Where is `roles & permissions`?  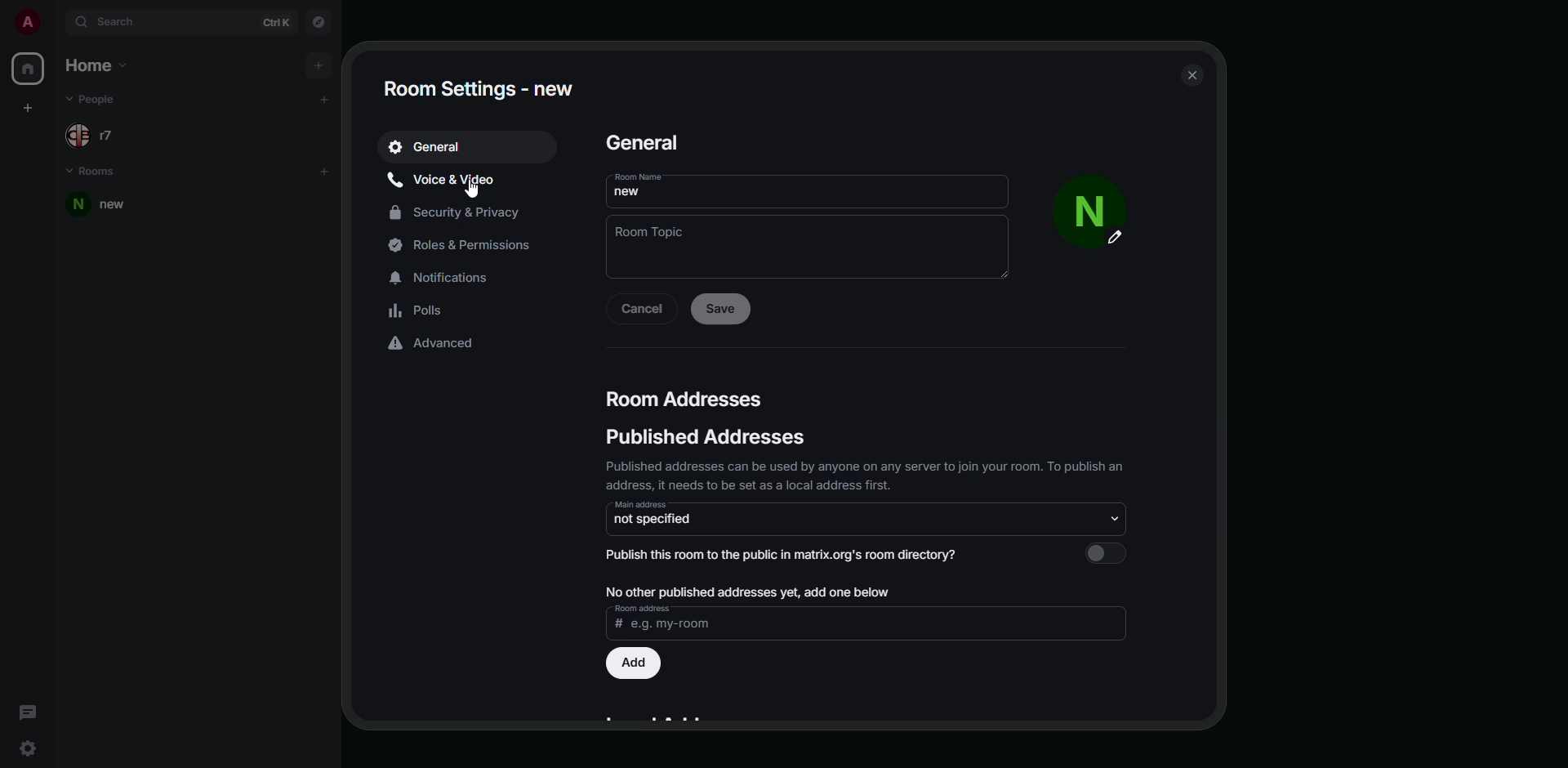
roles & permissions is located at coordinates (472, 248).